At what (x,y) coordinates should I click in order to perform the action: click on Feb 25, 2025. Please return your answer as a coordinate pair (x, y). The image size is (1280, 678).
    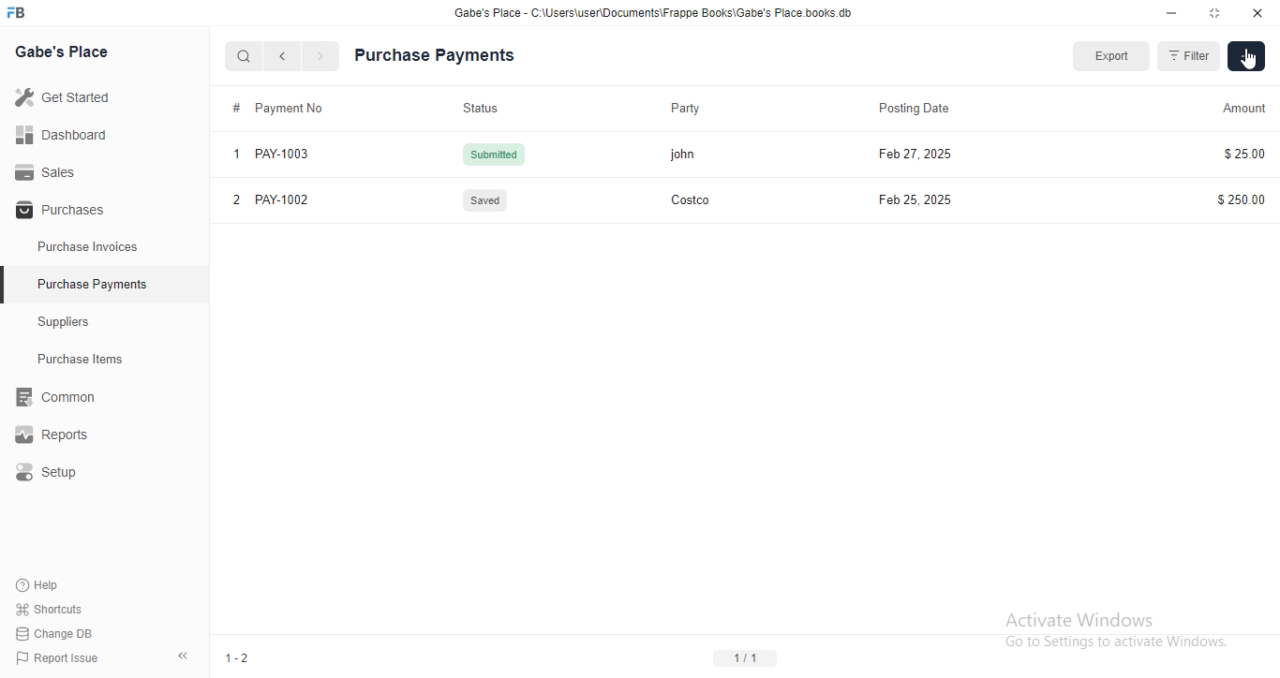
    Looking at the image, I should click on (917, 199).